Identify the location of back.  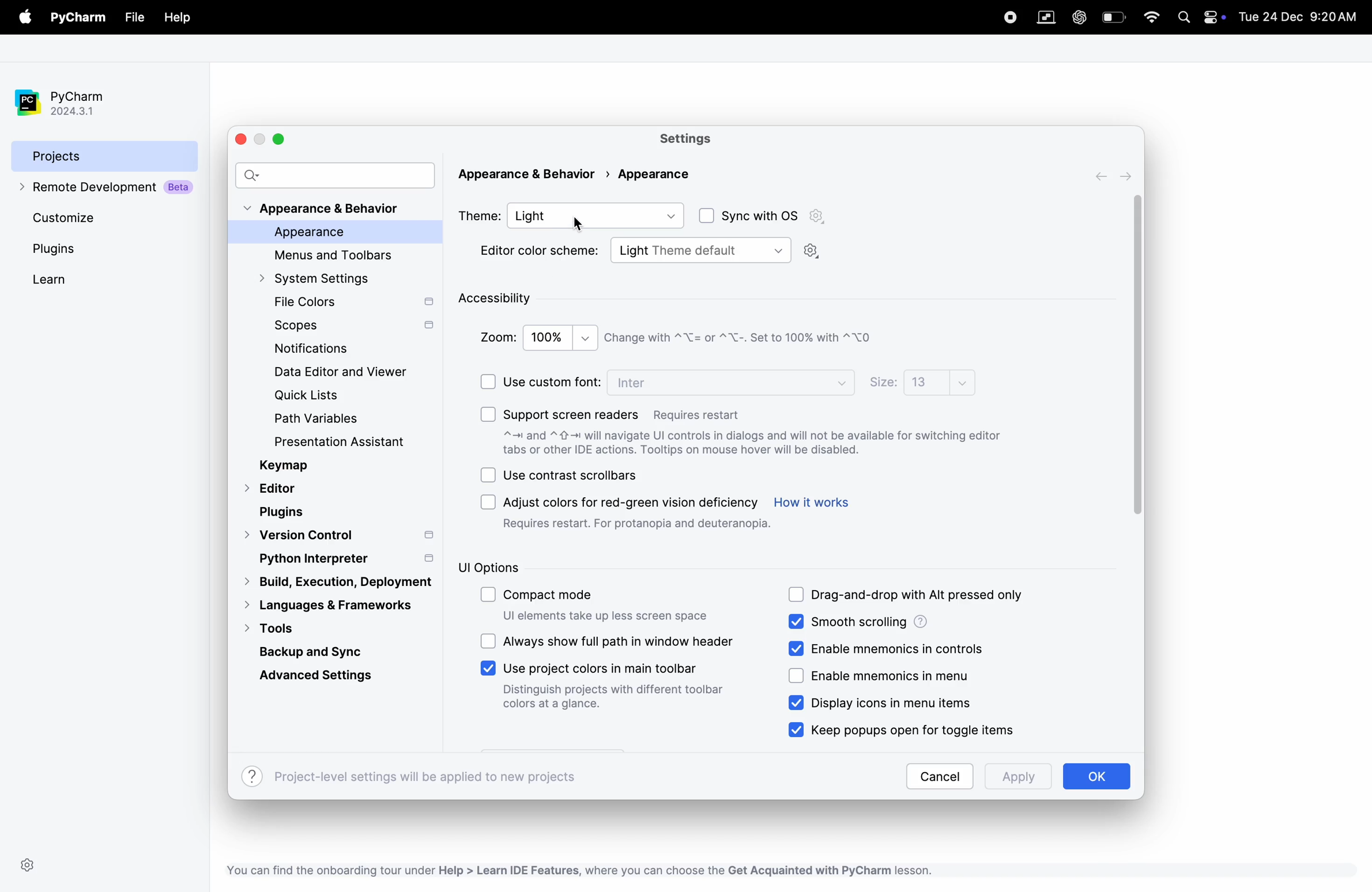
(1104, 176).